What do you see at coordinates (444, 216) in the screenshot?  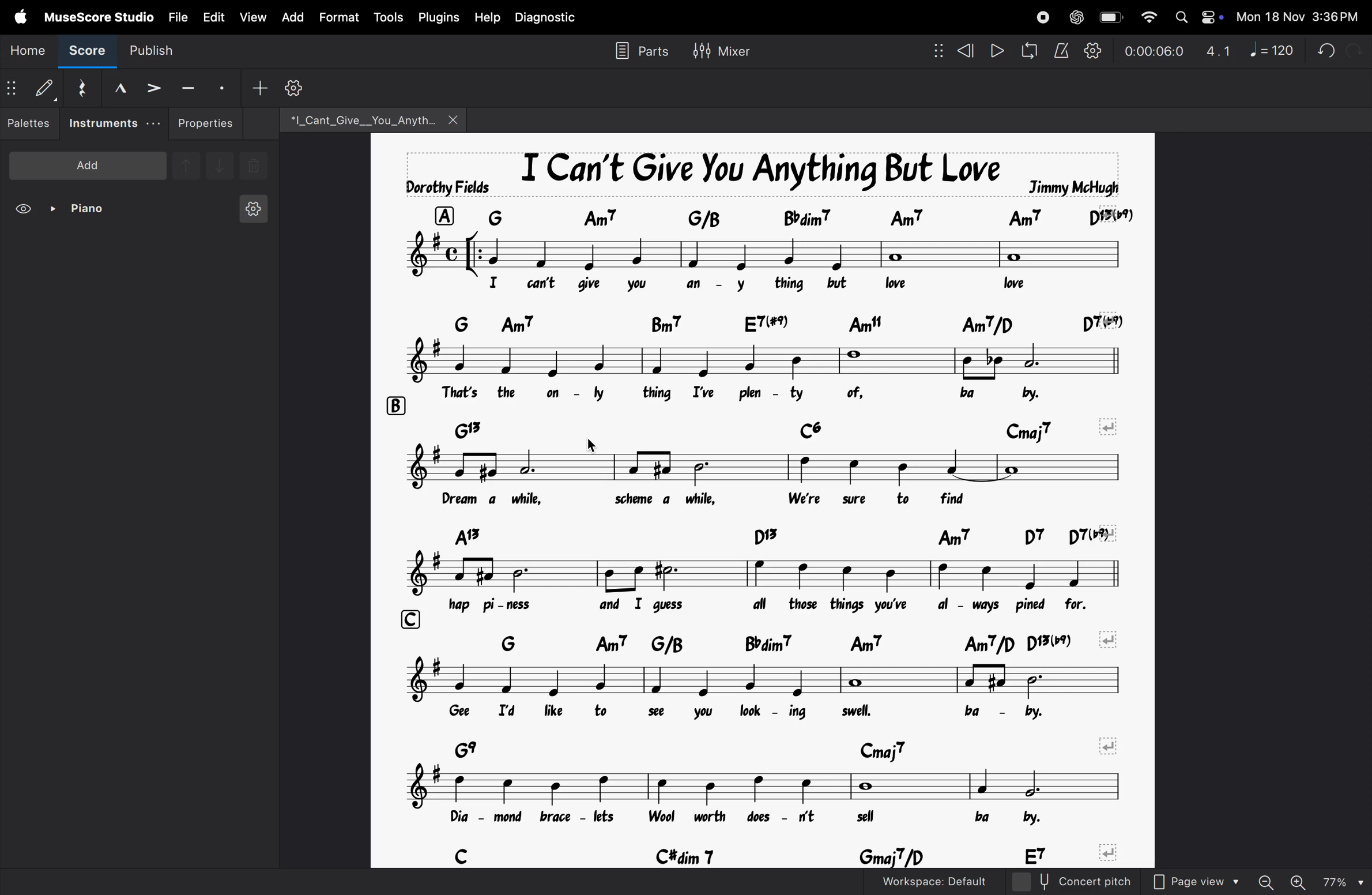 I see `row` at bounding box center [444, 216].